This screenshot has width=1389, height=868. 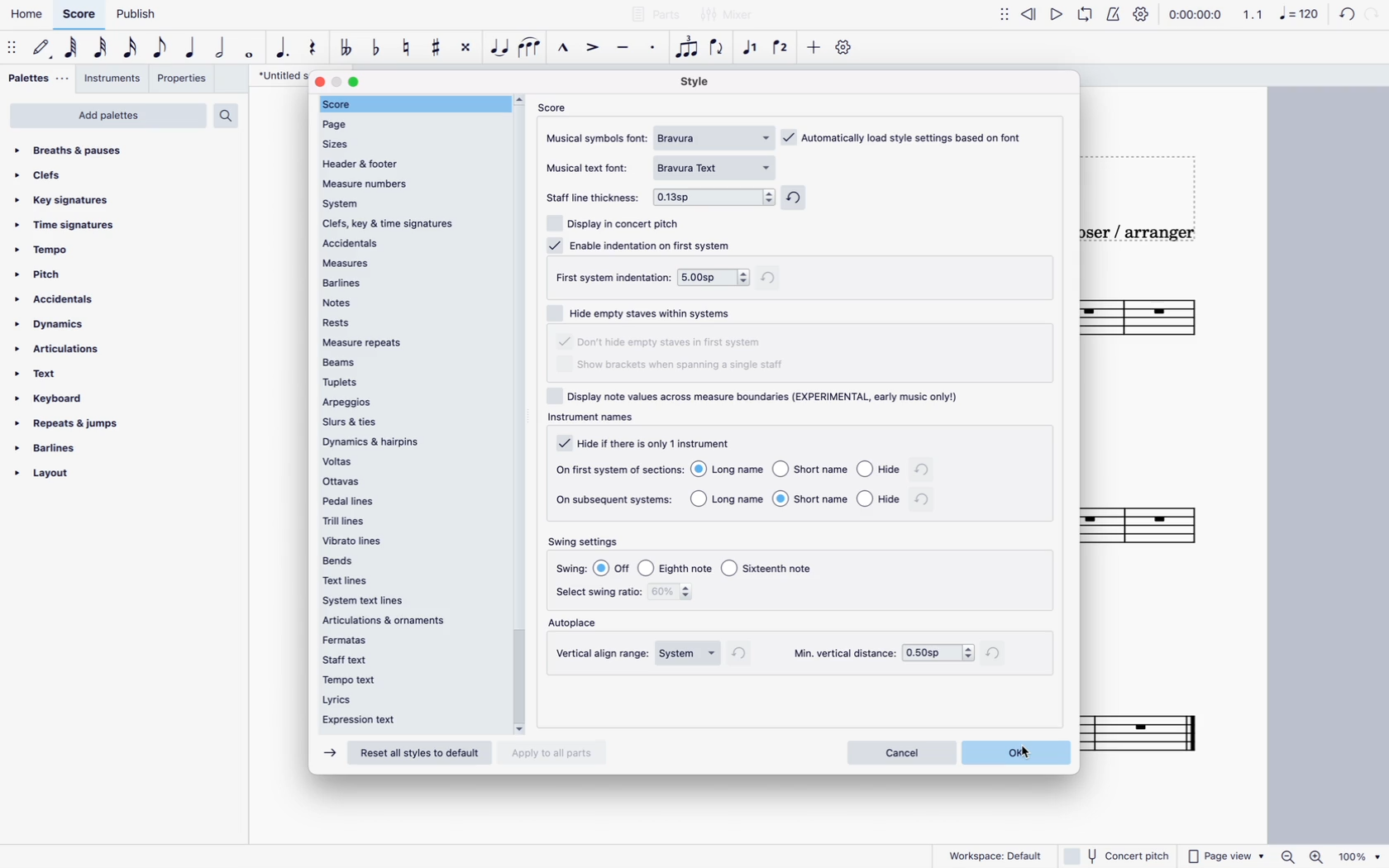 What do you see at coordinates (1091, 11) in the screenshot?
I see `play` at bounding box center [1091, 11].